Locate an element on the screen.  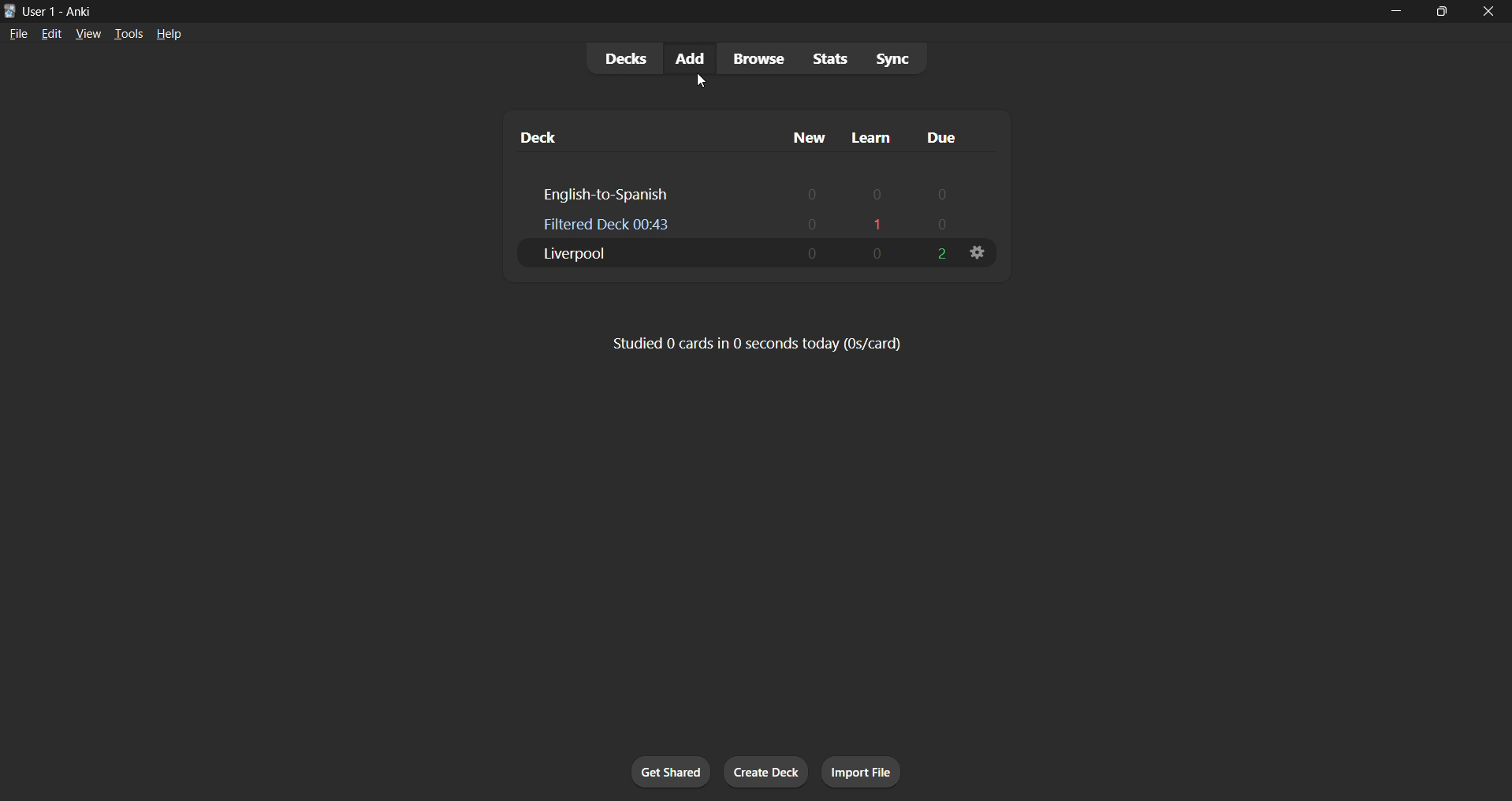
import file is located at coordinates (859, 769).